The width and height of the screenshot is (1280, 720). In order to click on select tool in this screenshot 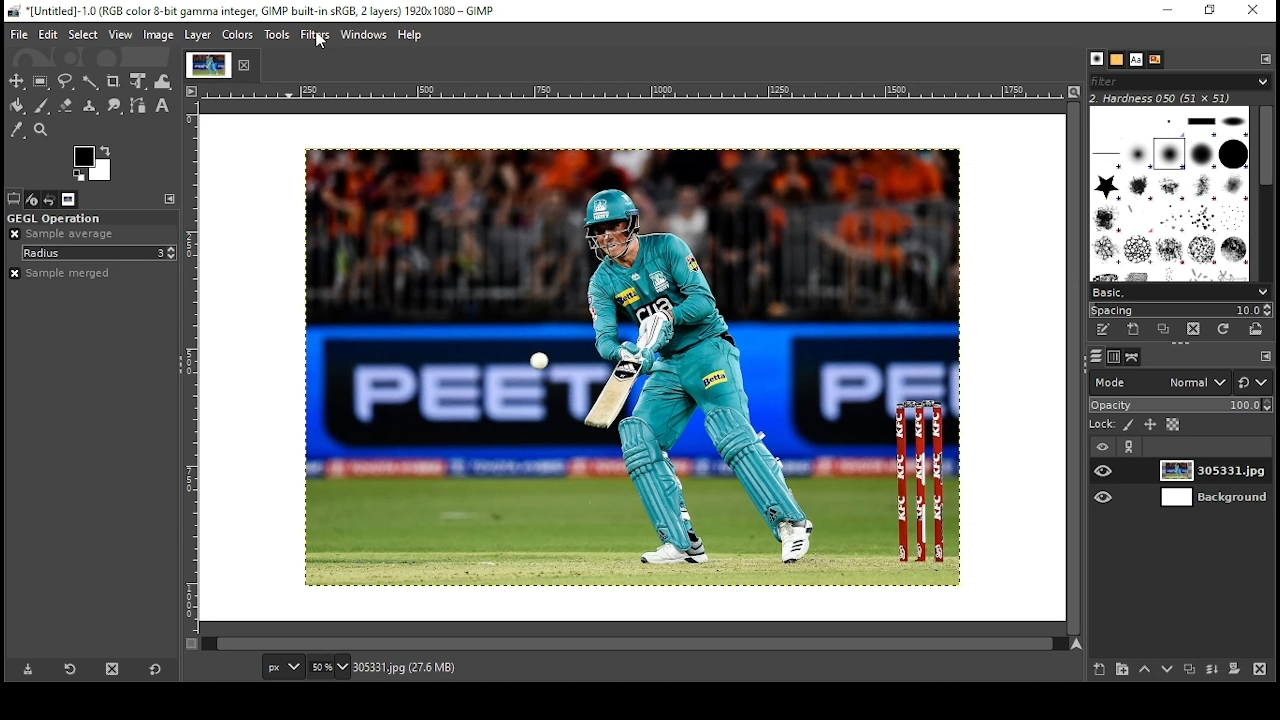, I will do `click(17, 81)`.